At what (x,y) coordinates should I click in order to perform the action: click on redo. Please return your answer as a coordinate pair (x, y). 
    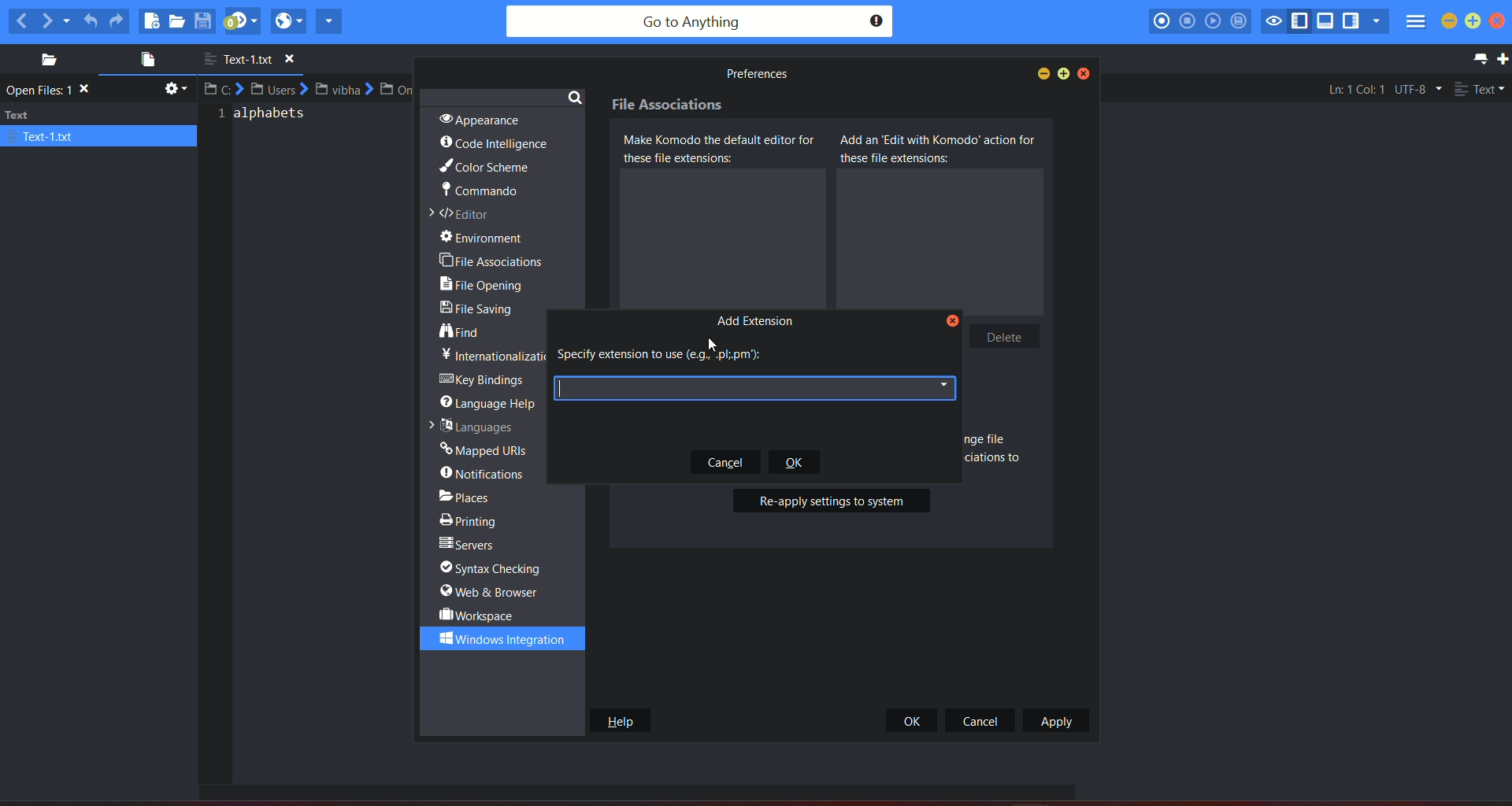
    Looking at the image, I should click on (117, 20).